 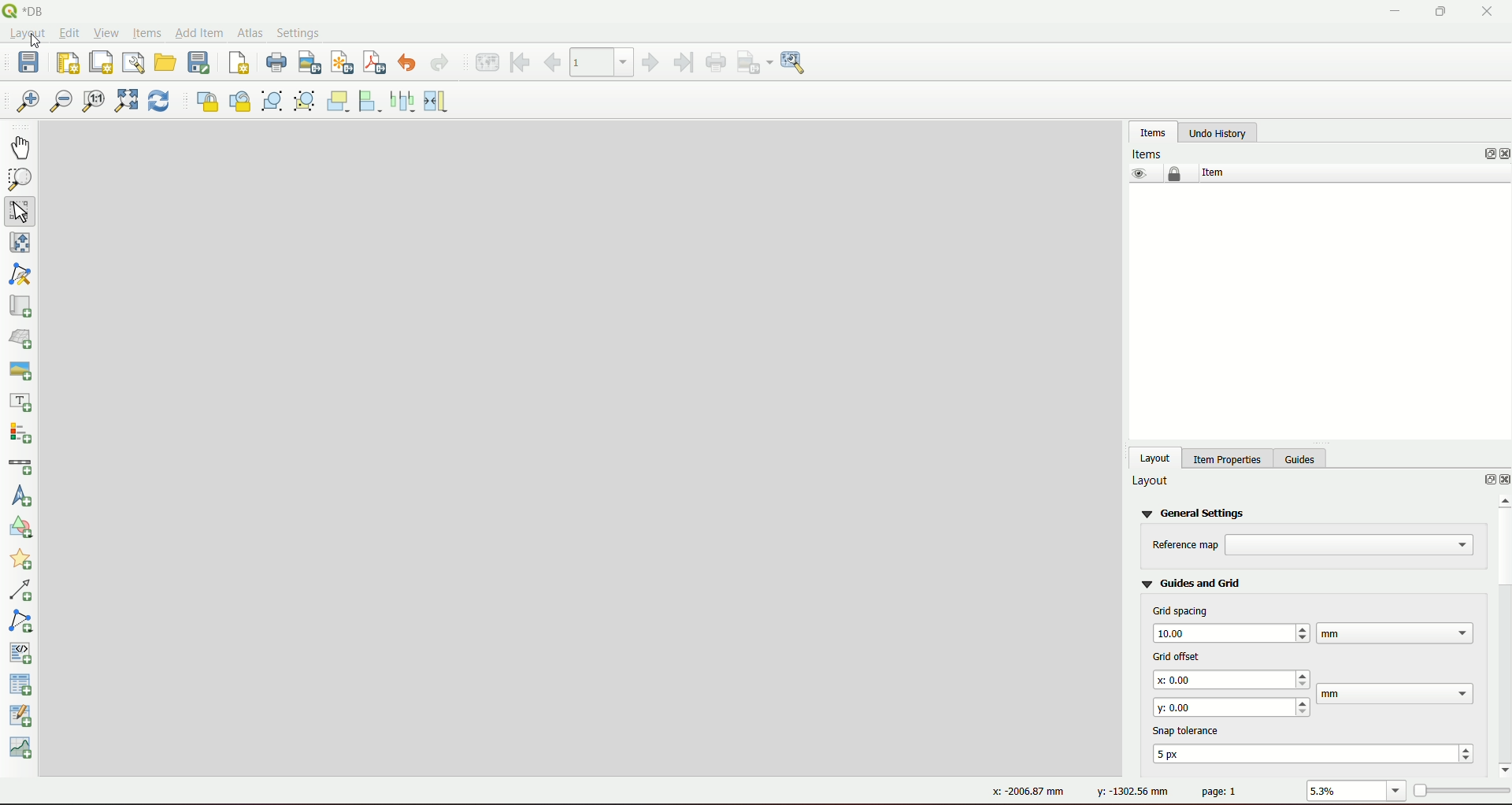 I want to click on Settings, so click(x=301, y=32).